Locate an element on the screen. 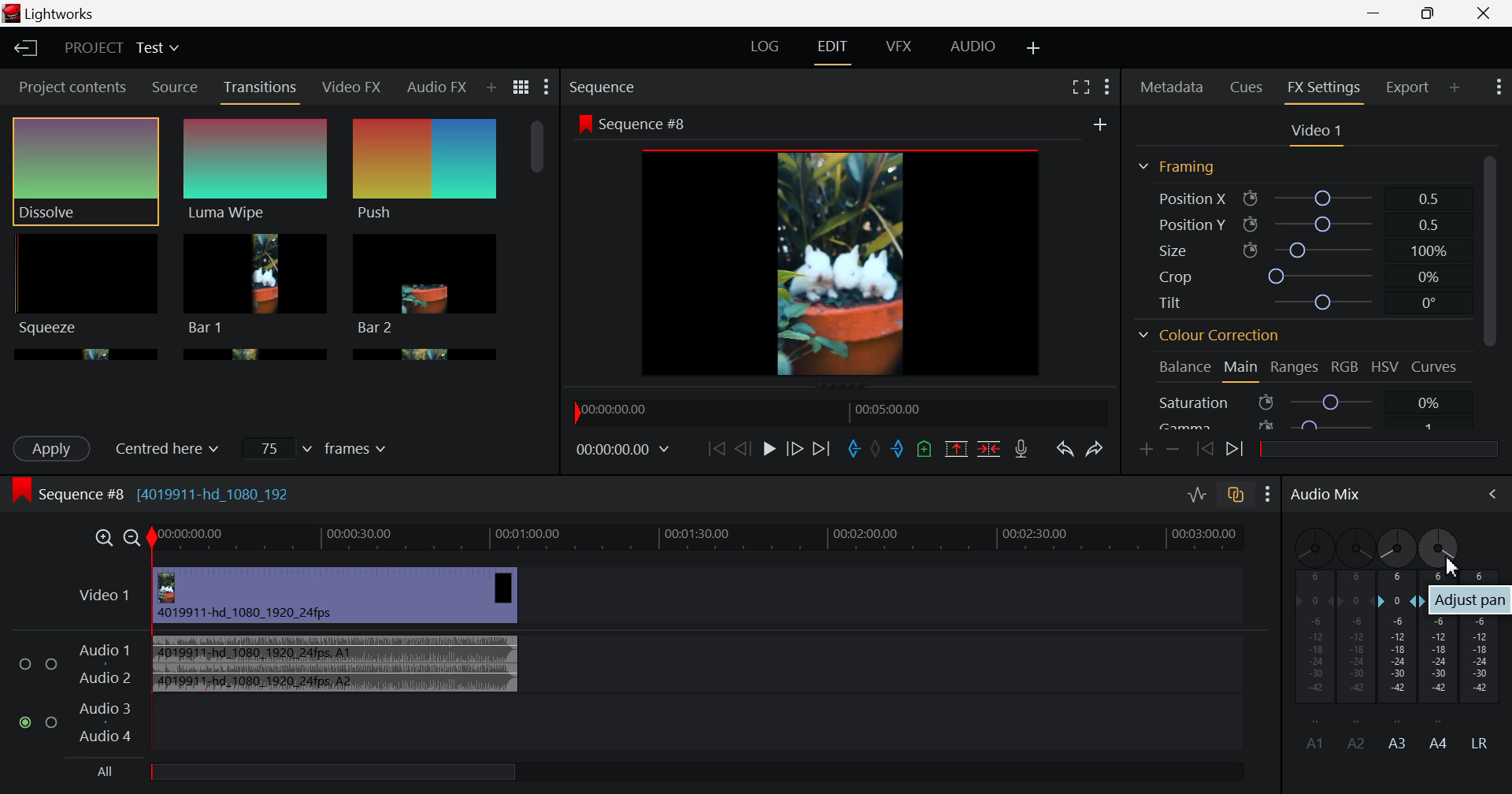 The image size is (1512, 794). A1 Channel disabled is located at coordinates (1308, 639).